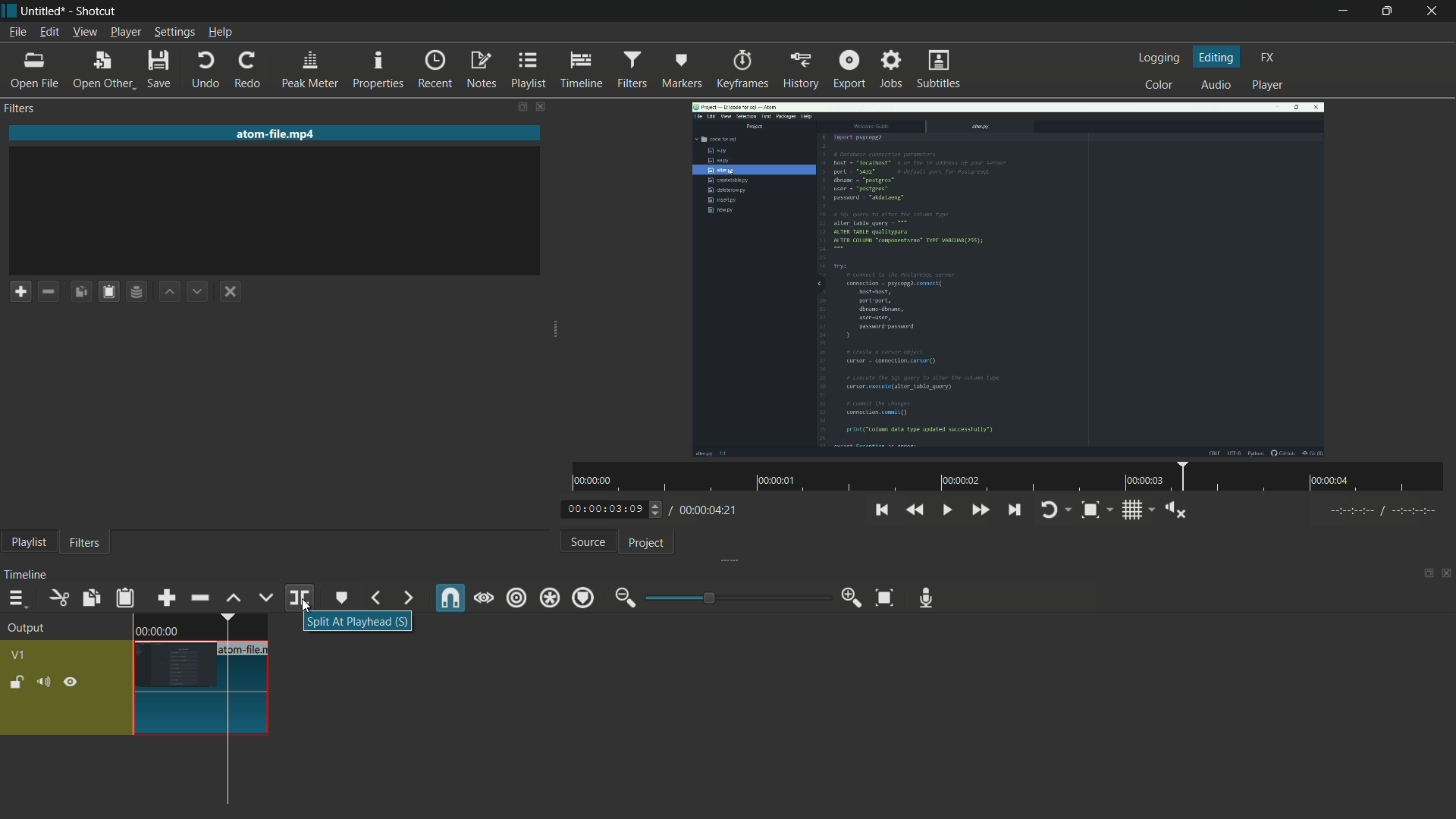 The height and width of the screenshot is (819, 1456). What do you see at coordinates (86, 32) in the screenshot?
I see `view menu` at bounding box center [86, 32].